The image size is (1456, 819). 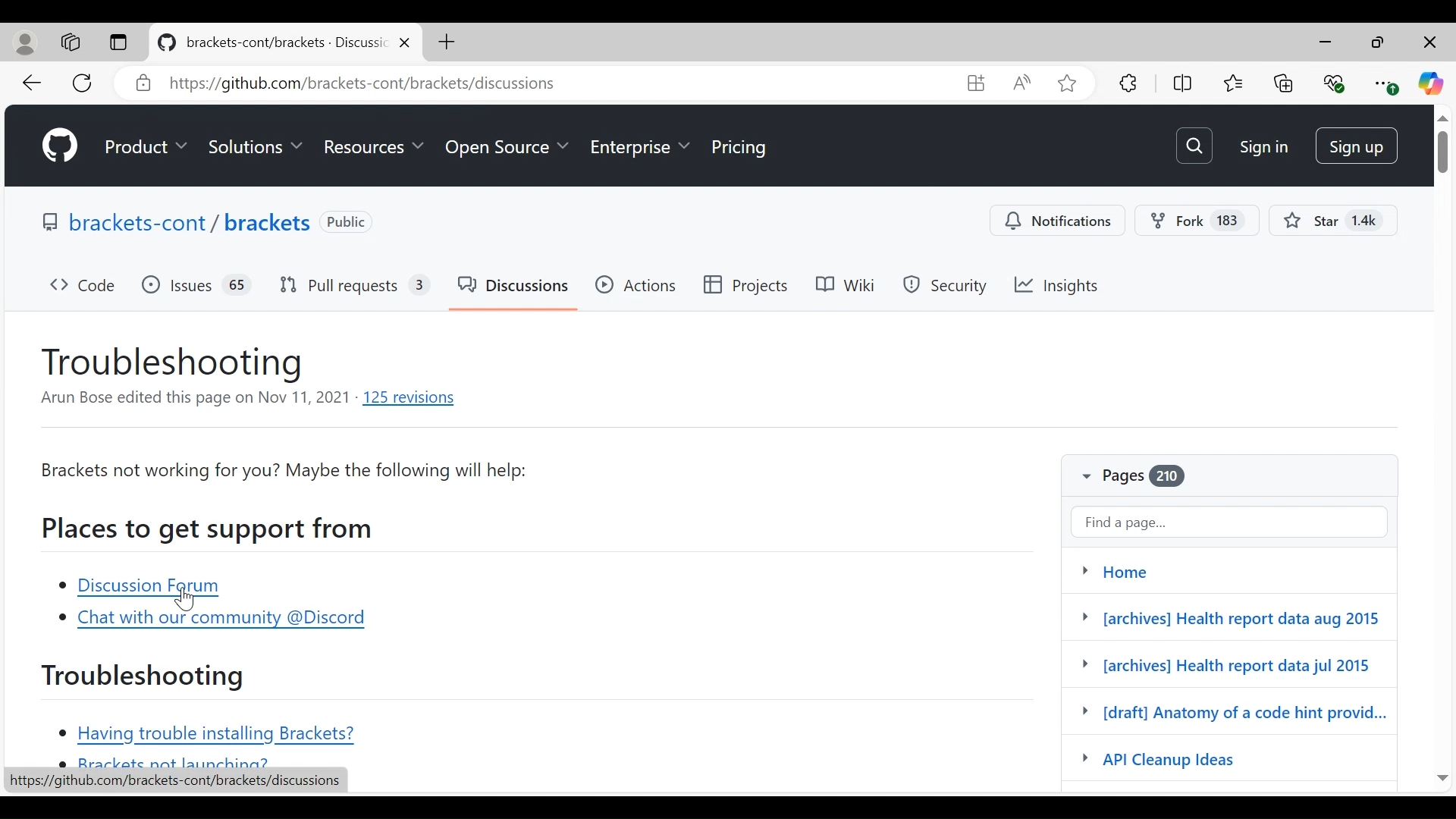 I want to click on Add this page to favorites, so click(x=1068, y=83).